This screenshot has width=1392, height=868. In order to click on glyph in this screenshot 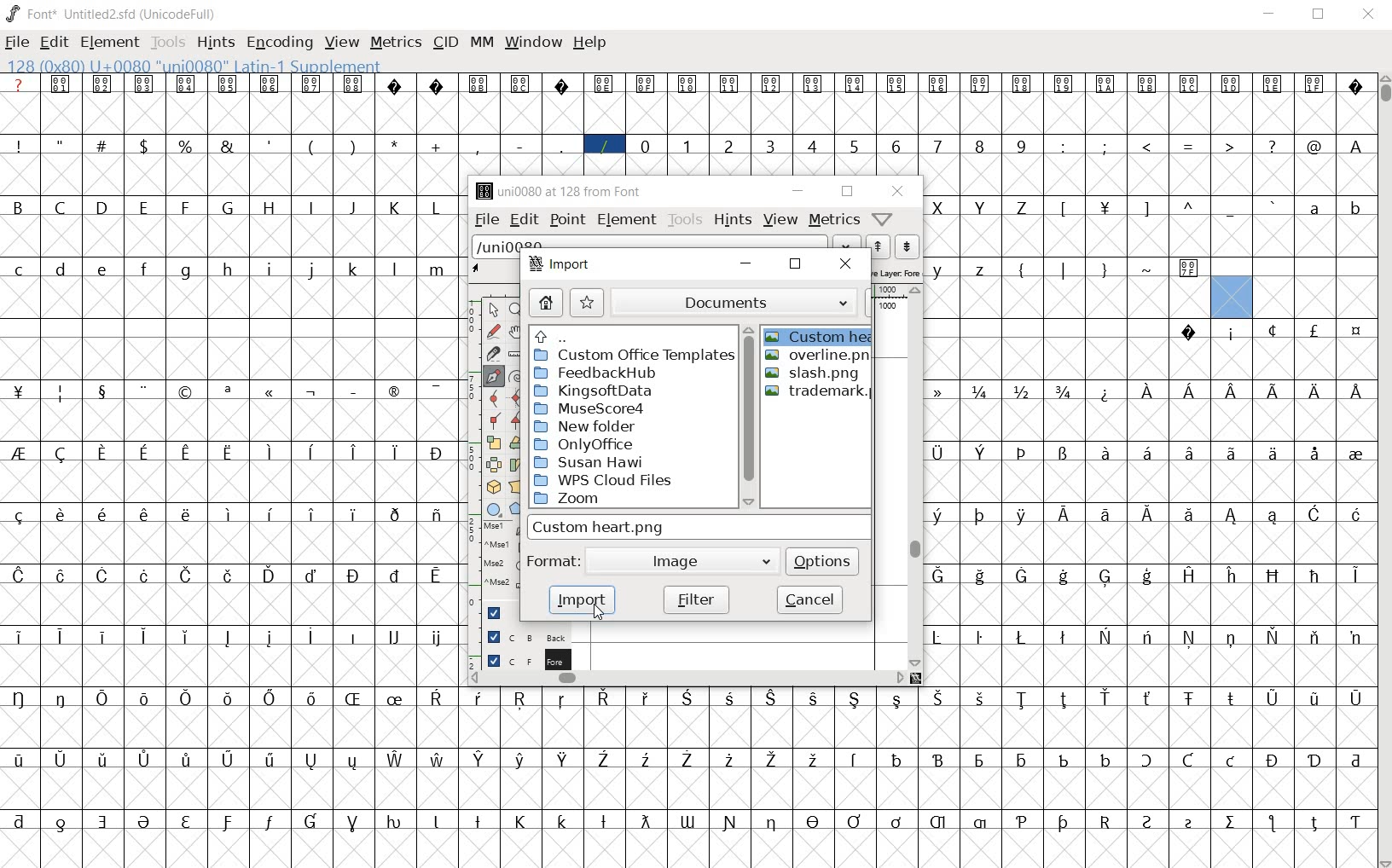, I will do `click(143, 514)`.